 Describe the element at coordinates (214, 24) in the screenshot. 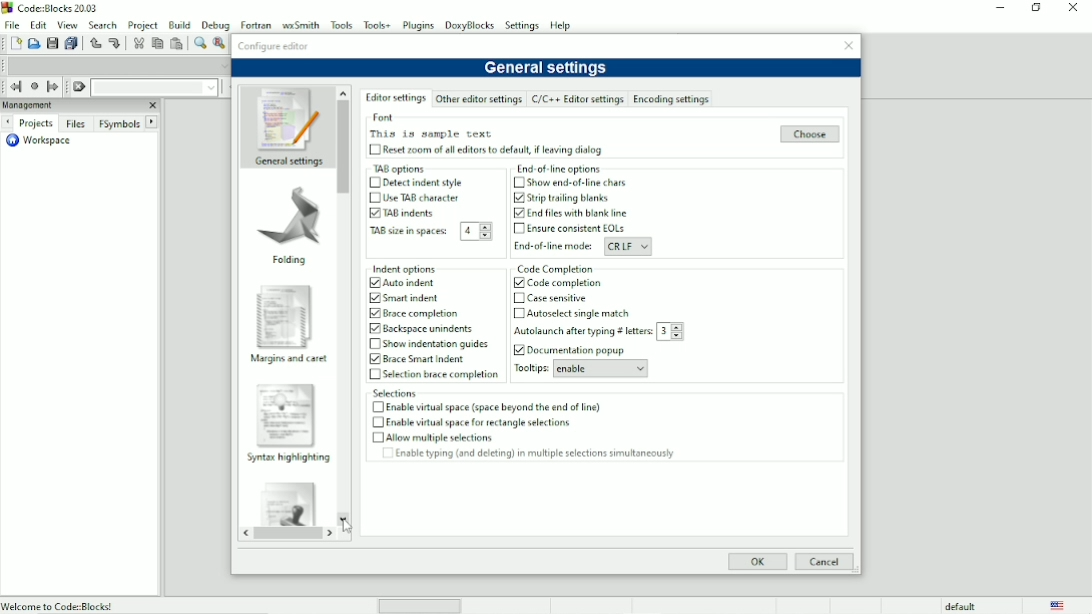

I see `Debug` at that location.